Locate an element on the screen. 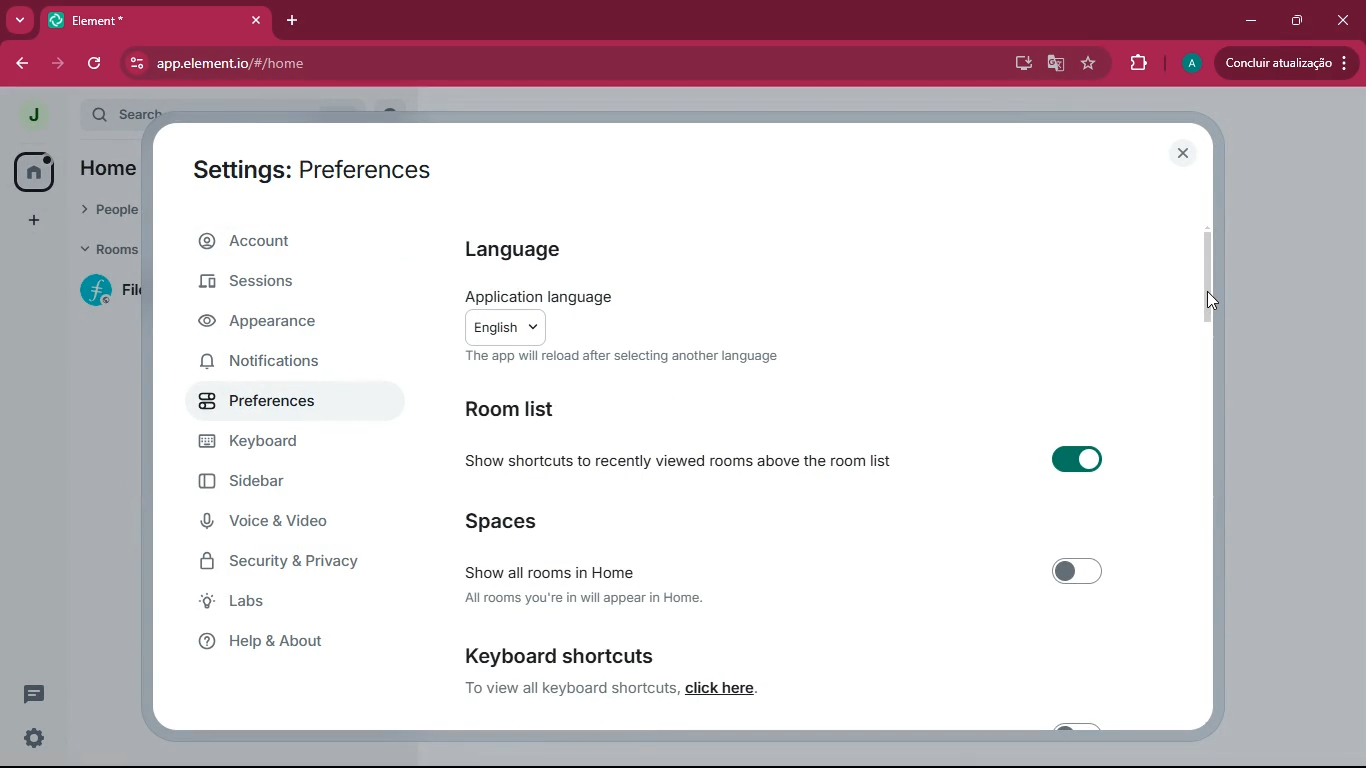  close is located at coordinates (1182, 153).